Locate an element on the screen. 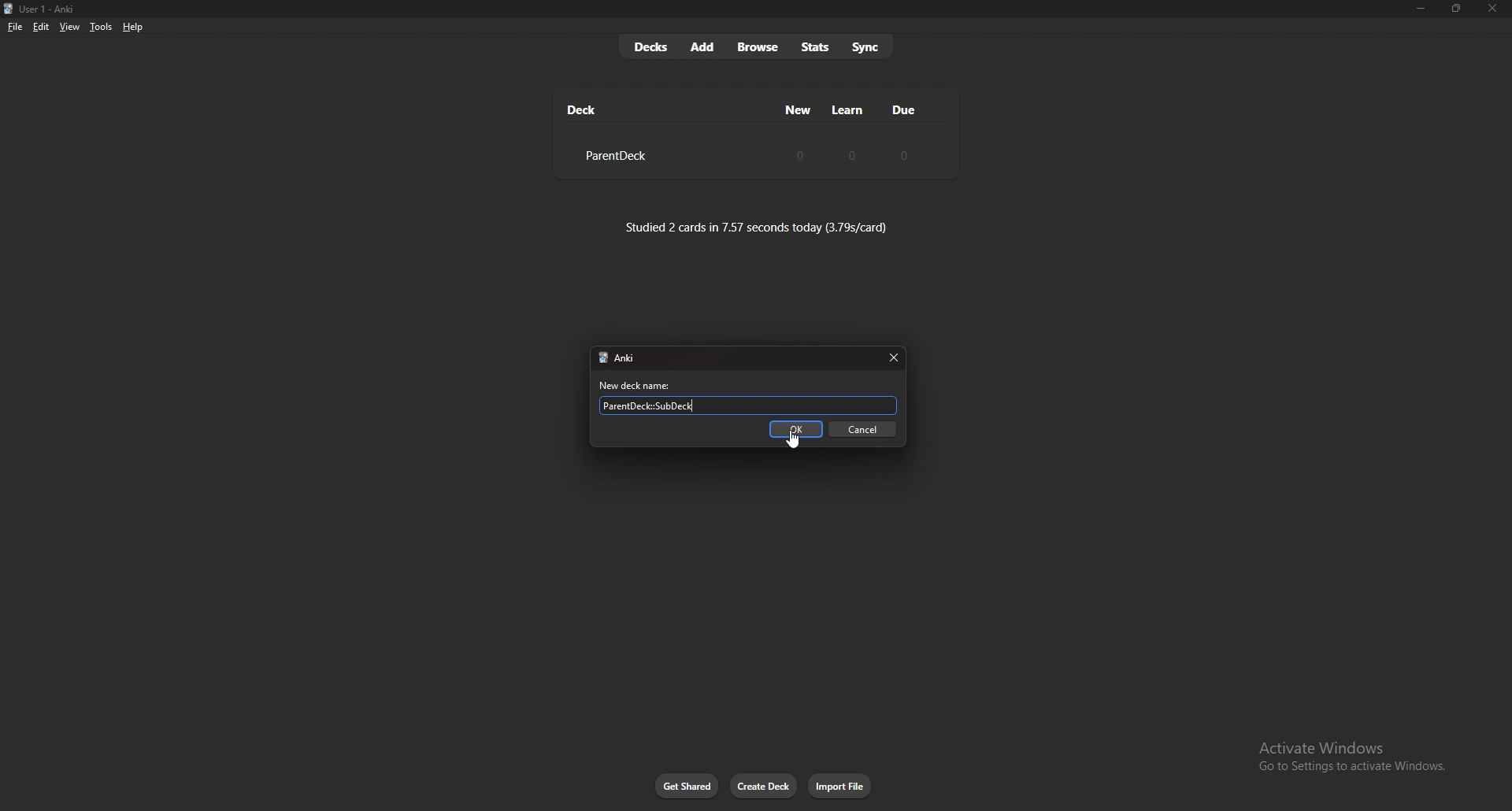 This screenshot has width=1512, height=811. cancel is located at coordinates (864, 430).